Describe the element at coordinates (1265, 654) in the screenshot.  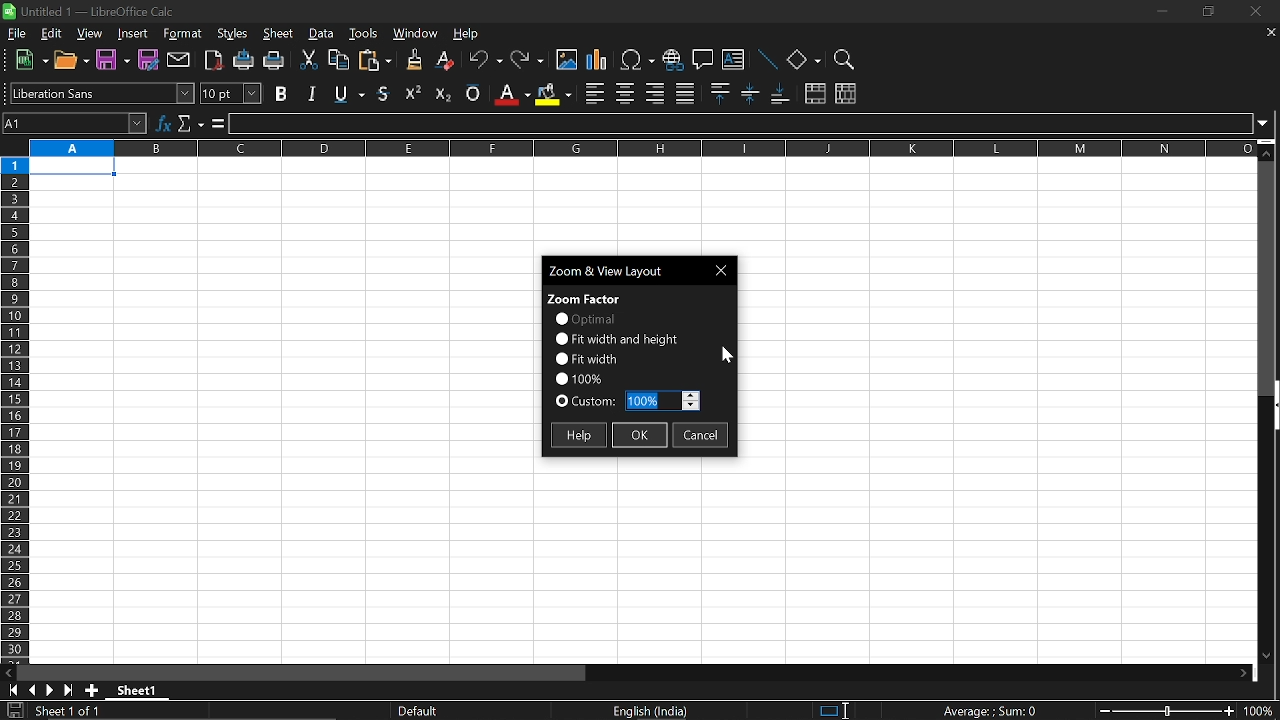
I see `Move down` at that location.